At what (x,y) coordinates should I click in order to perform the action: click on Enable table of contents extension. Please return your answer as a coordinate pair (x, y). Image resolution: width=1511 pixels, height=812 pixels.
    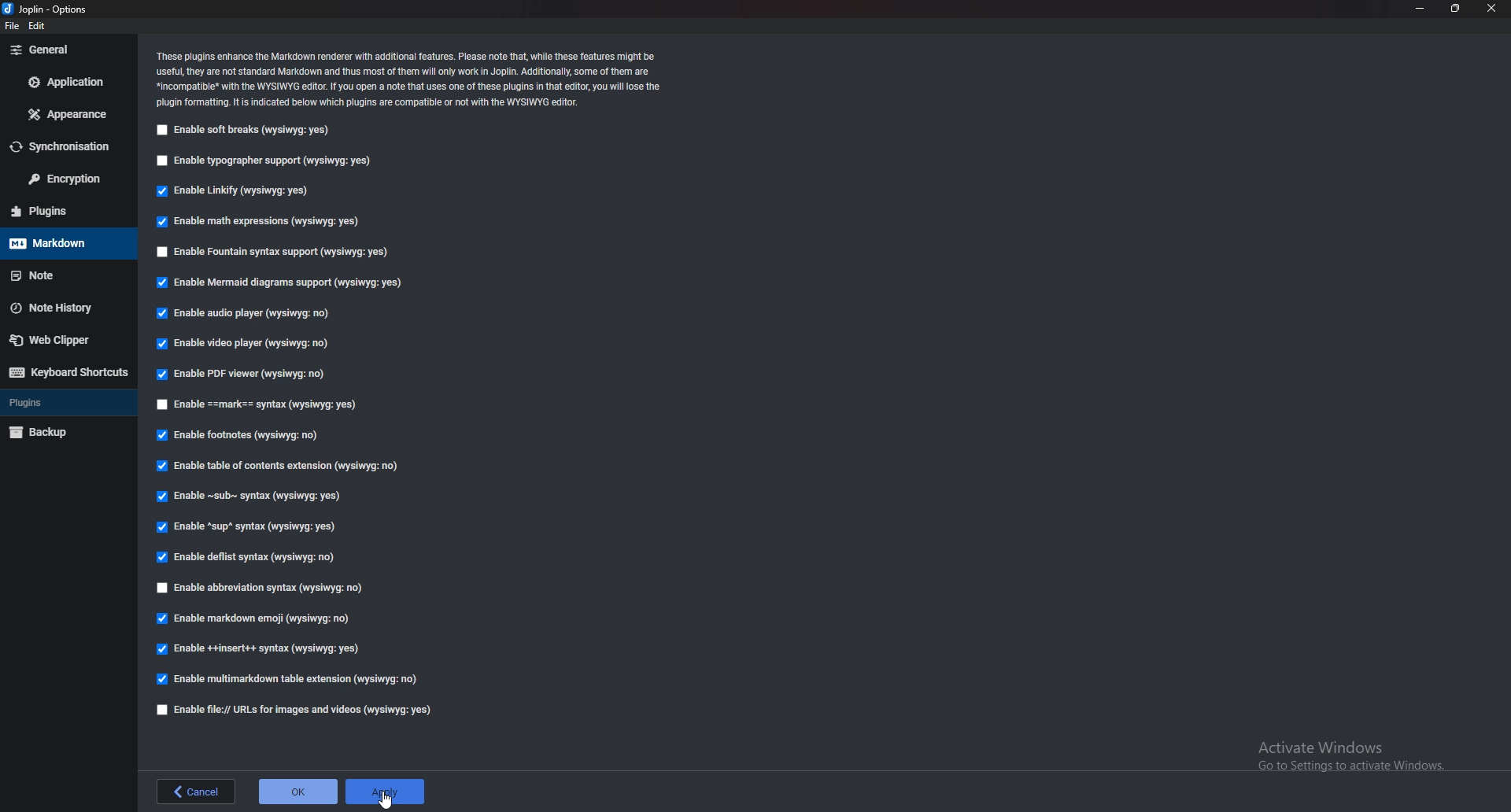
    Looking at the image, I should click on (282, 466).